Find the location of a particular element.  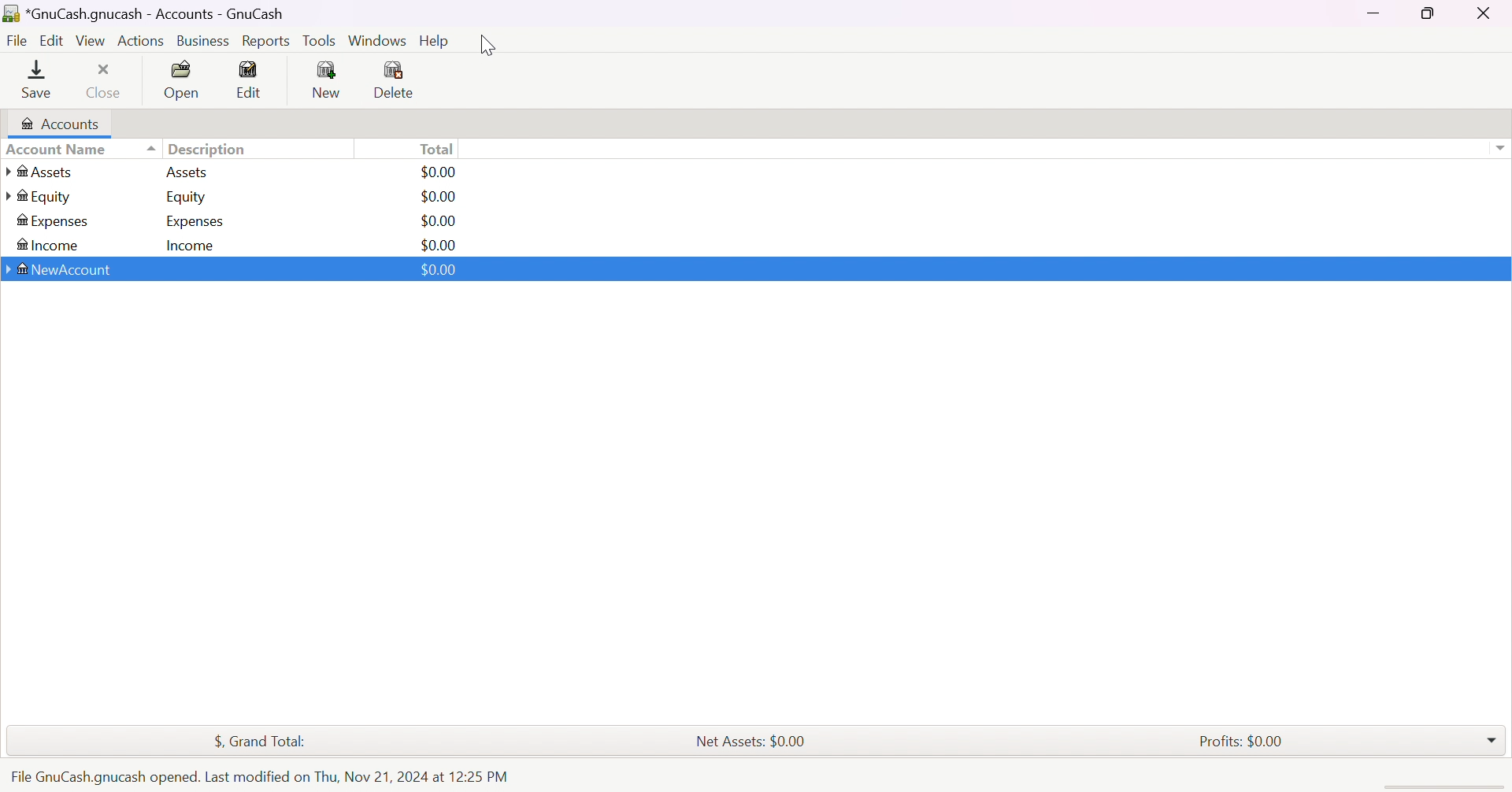

$0.00 is located at coordinates (439, 196).